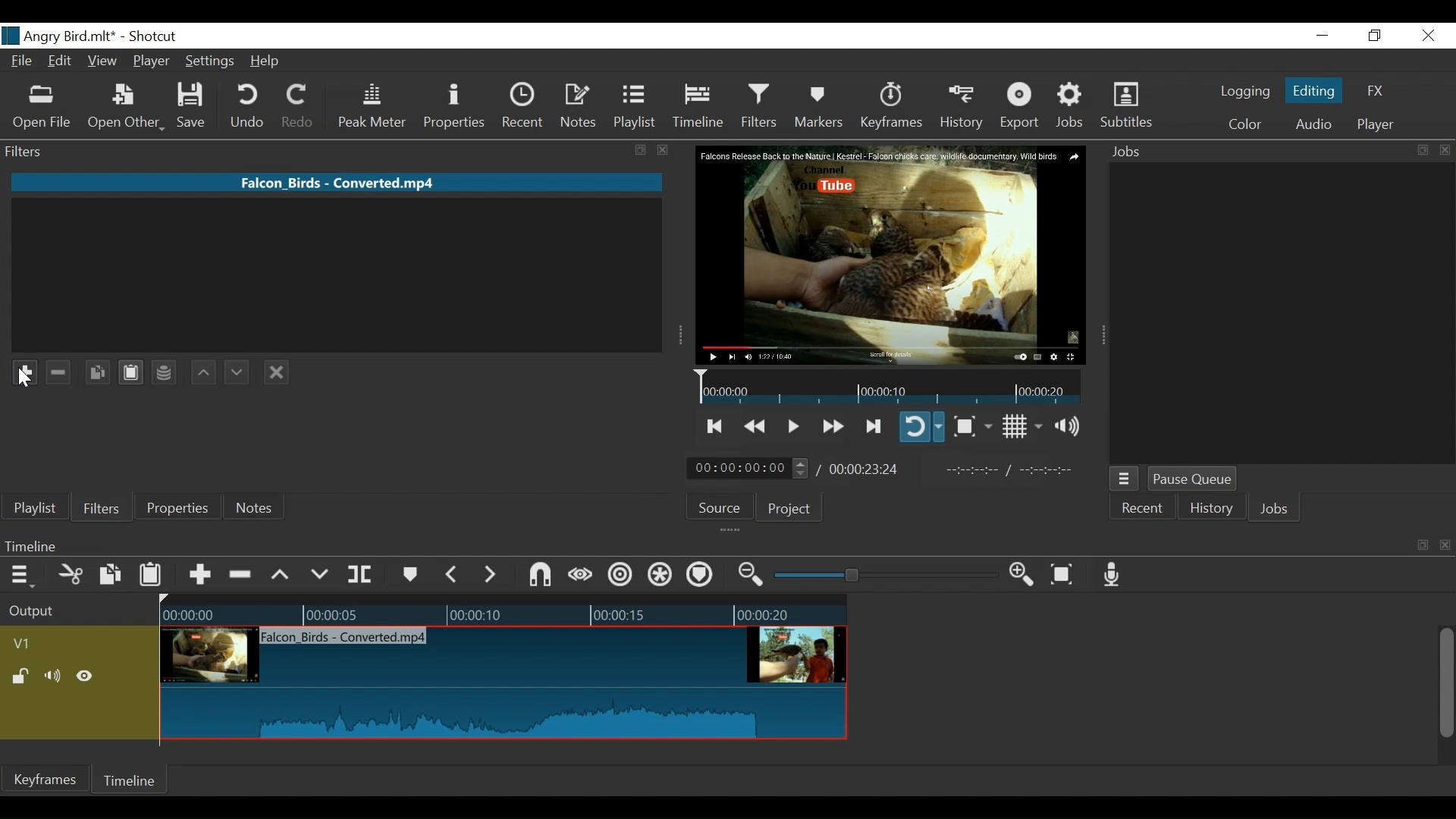 The image size is (1456, 819). What do you see at coordinates (623, 577) in the screenshot?
I see `Ripple` at bounding box center [623, 577].